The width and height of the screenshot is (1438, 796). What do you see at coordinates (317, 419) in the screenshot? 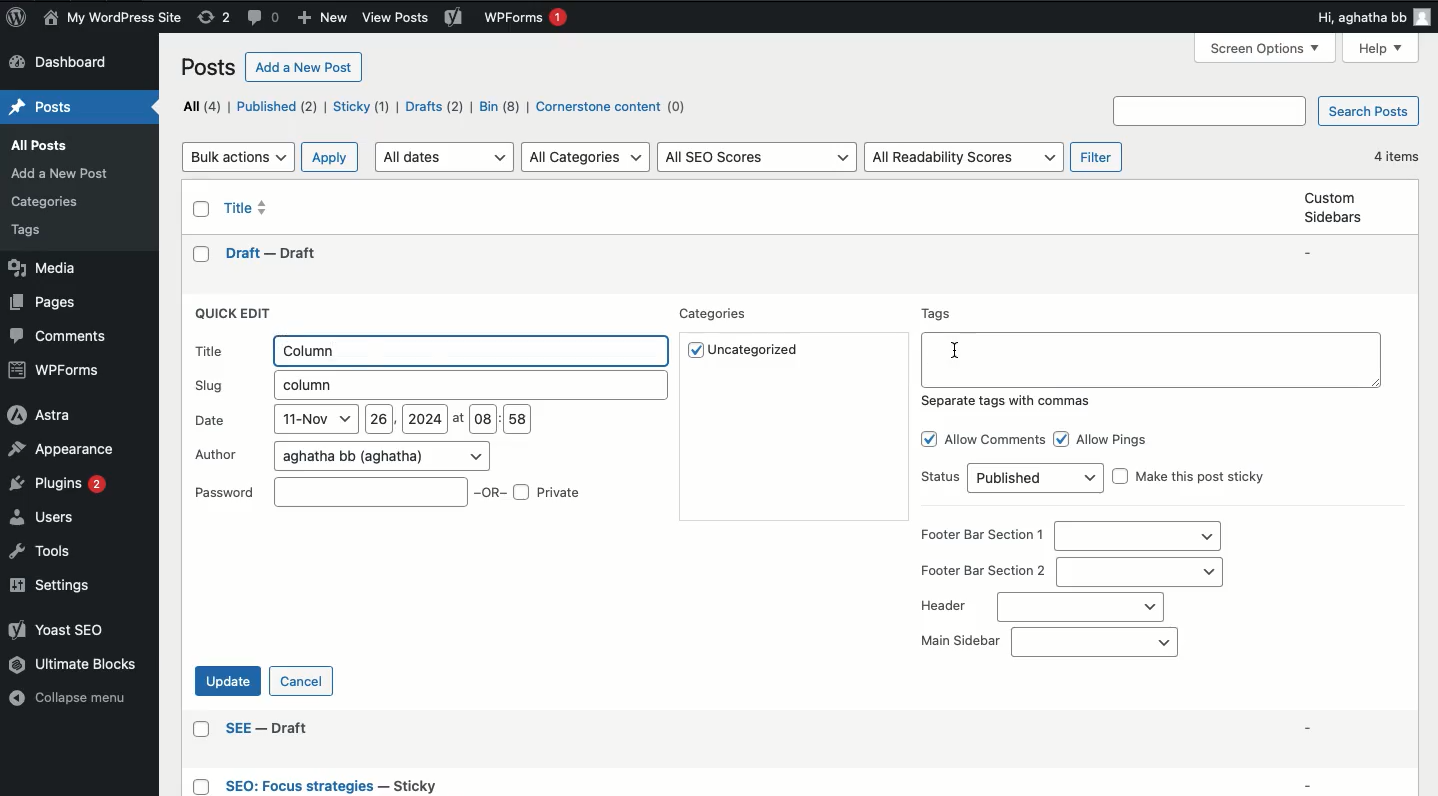
I see `11-Nov` at bounding box center [317, 419].